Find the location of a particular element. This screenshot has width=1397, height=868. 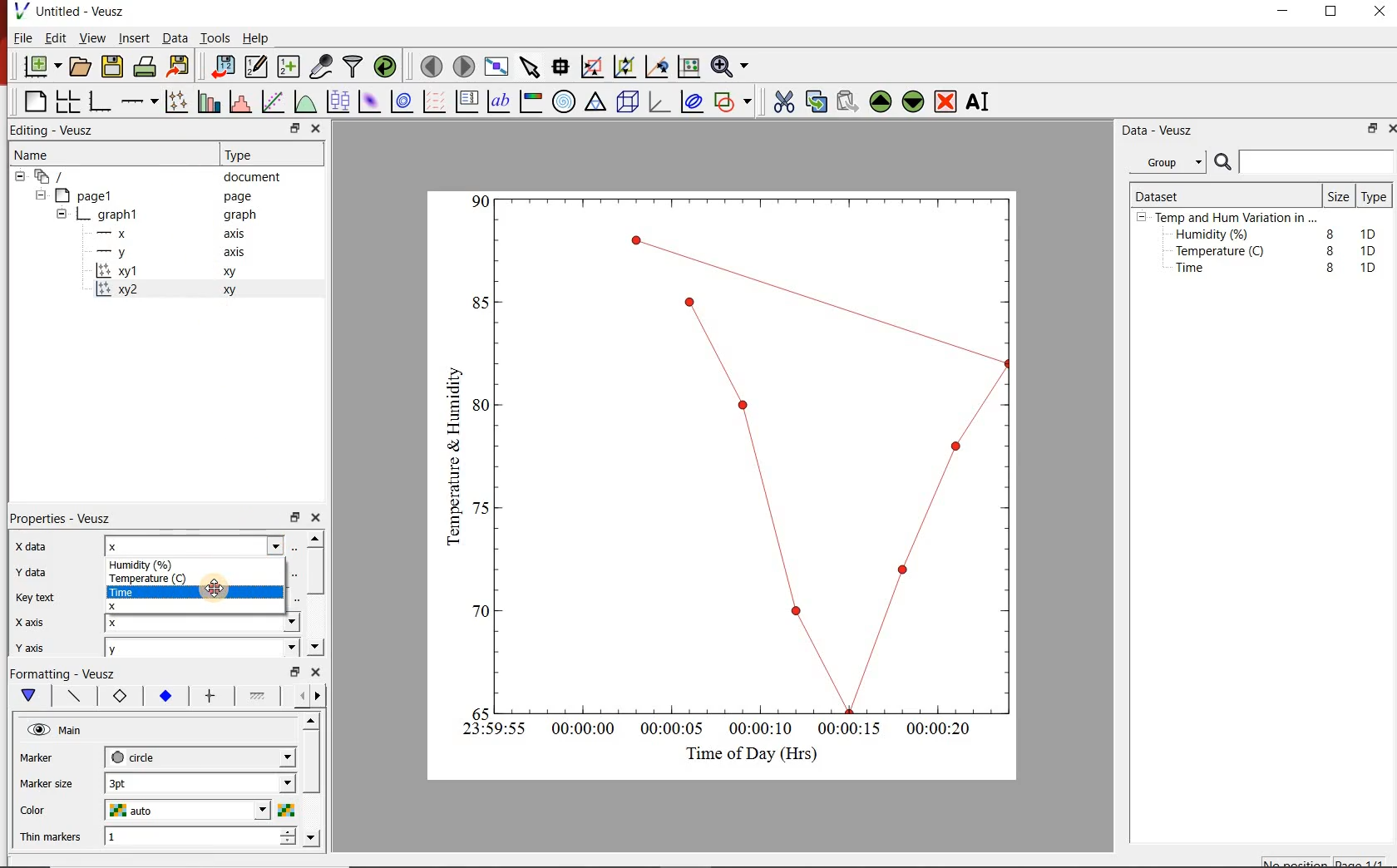

File is located at coordinates (19, 37).